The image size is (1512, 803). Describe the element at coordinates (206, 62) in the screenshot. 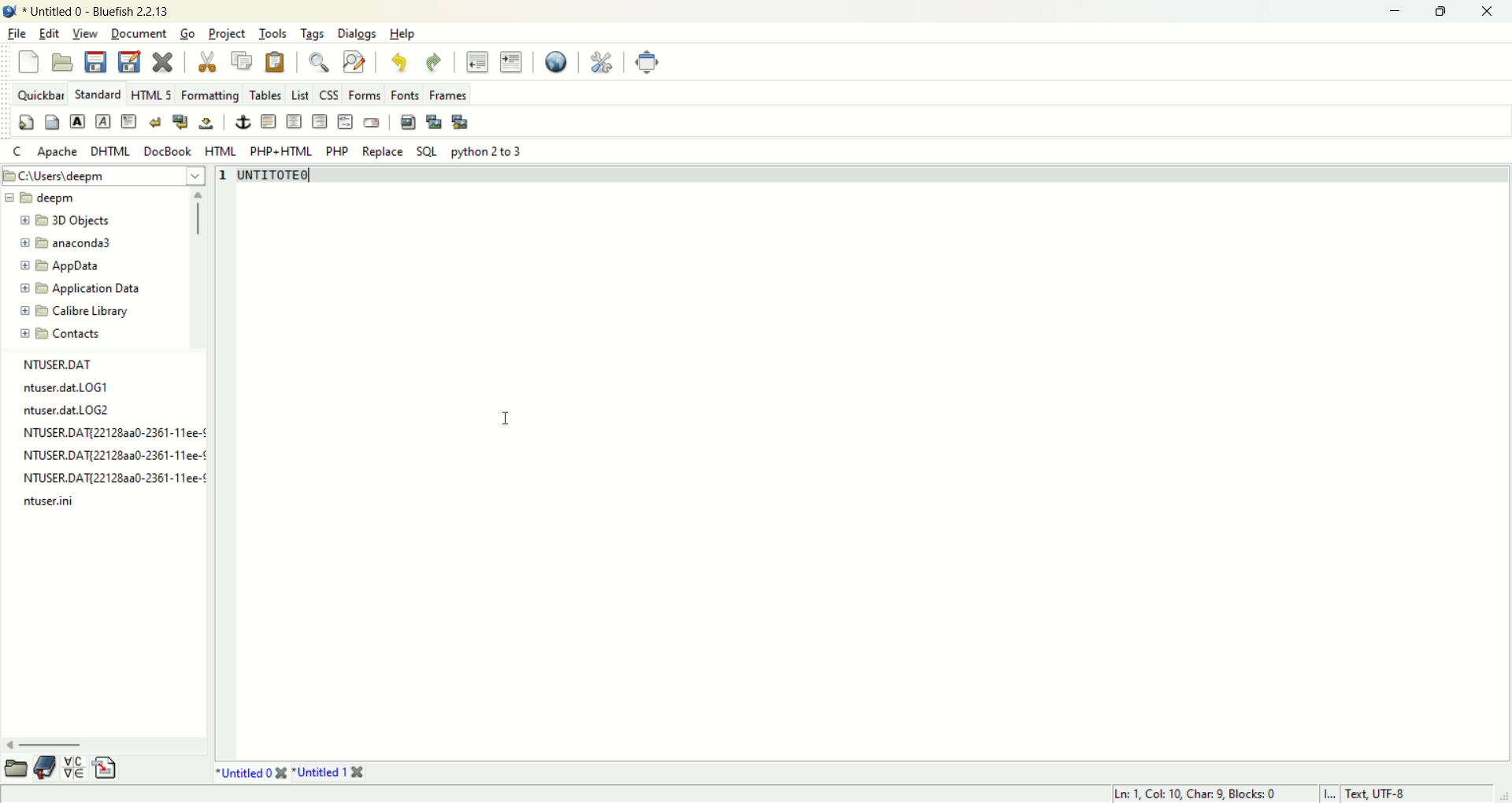

I see `cut` at that location.